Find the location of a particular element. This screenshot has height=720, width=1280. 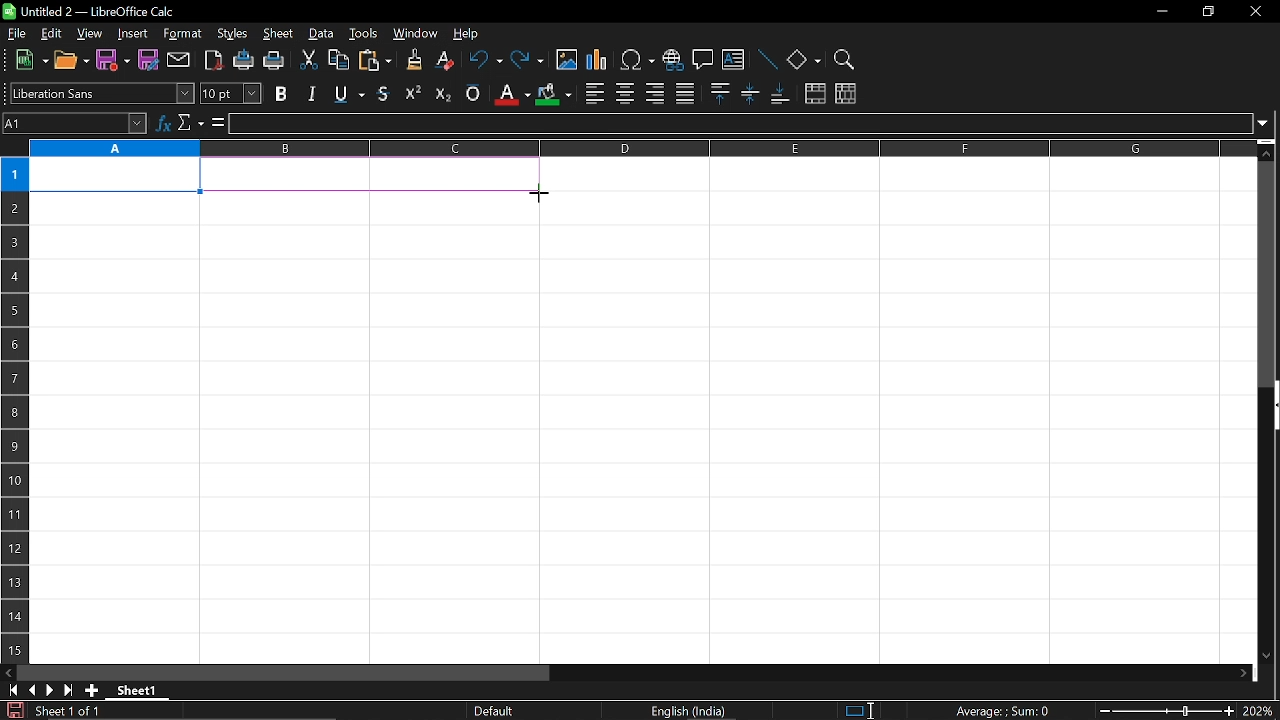

Untitled 2 - LibreOffice Calc is located at coordinates (90, 11).